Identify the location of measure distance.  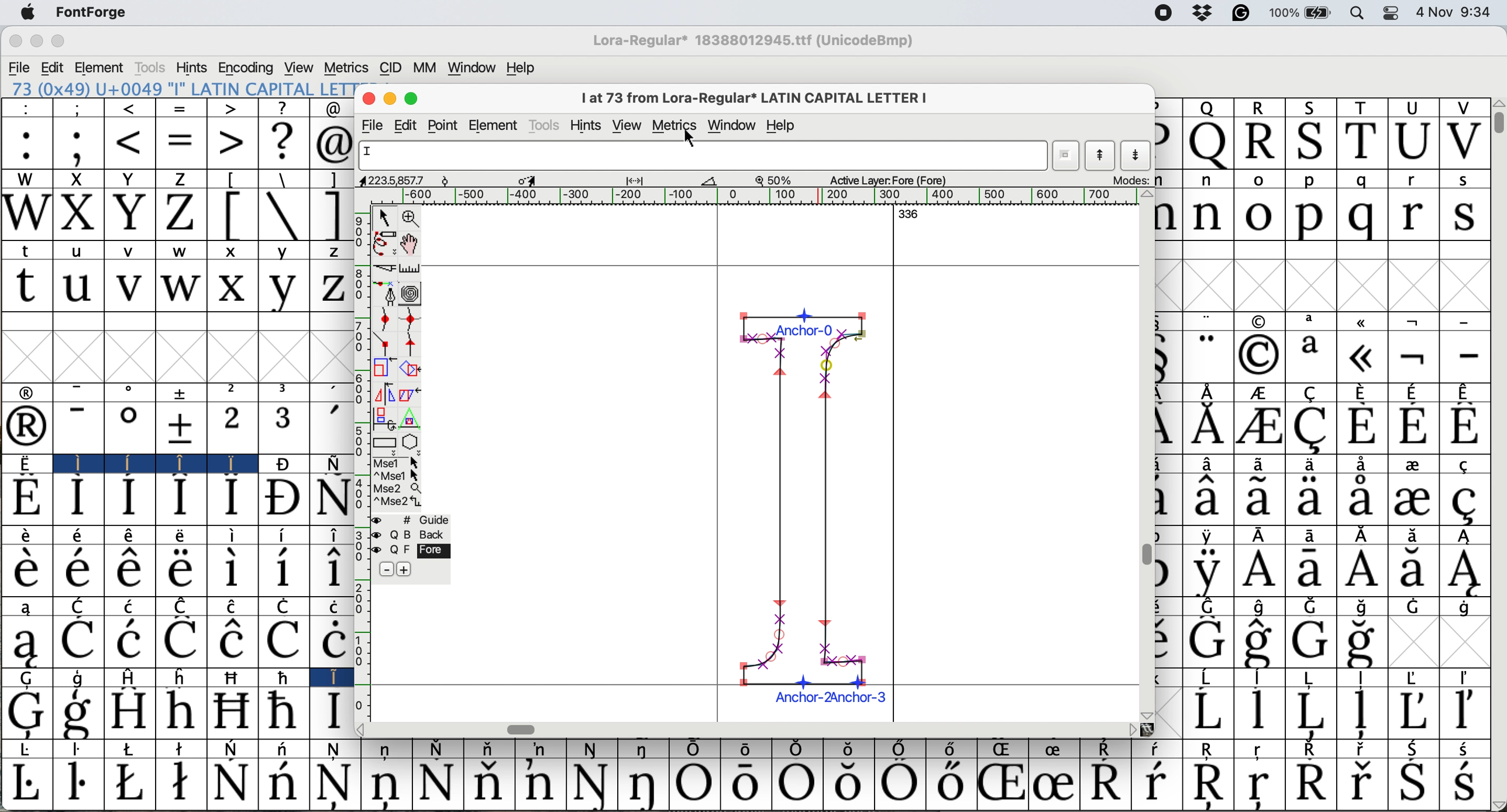
(411, 267).